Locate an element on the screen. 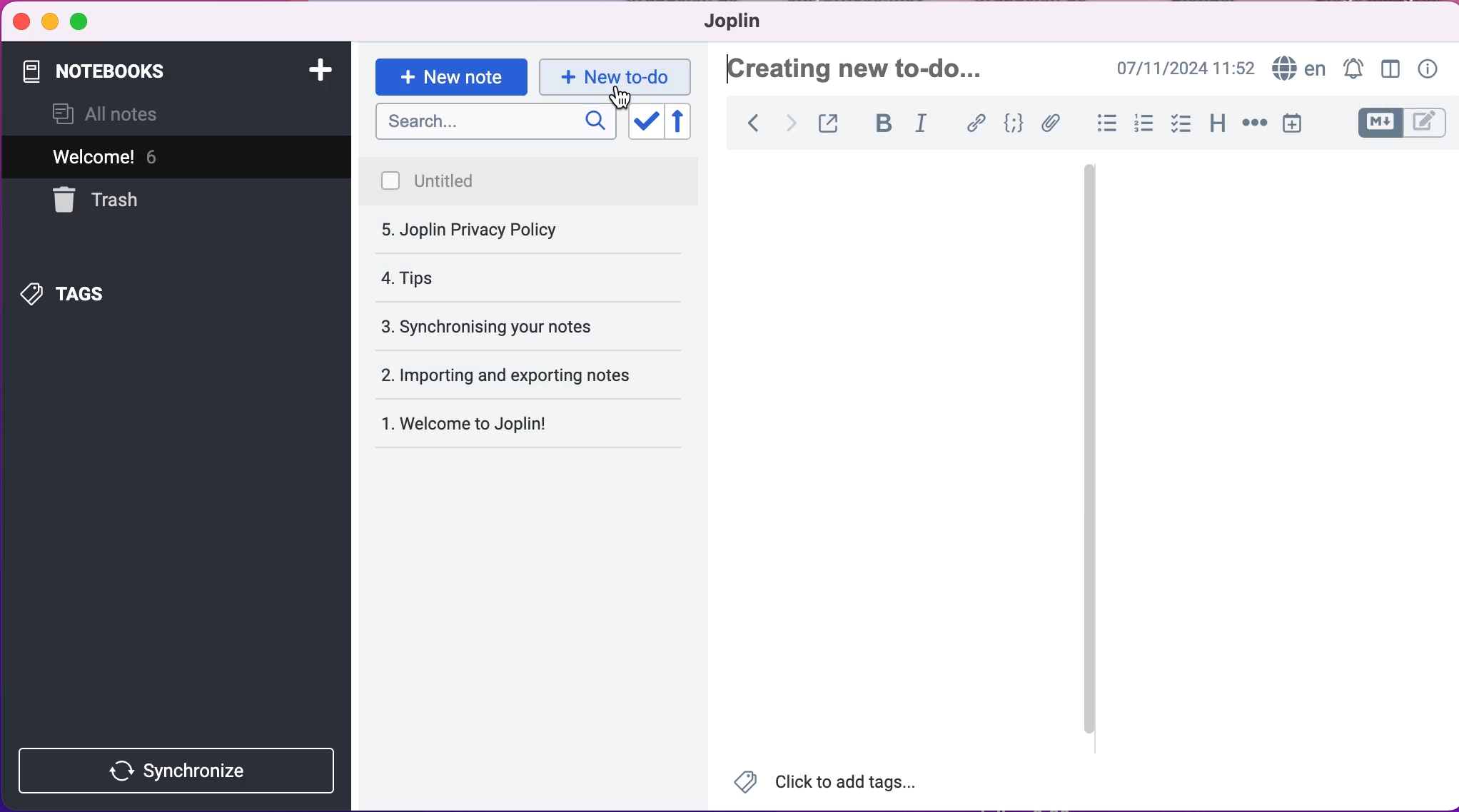 The height and width of the screenshot is (812, 1459). all notes is located at coordinates (114, 116).